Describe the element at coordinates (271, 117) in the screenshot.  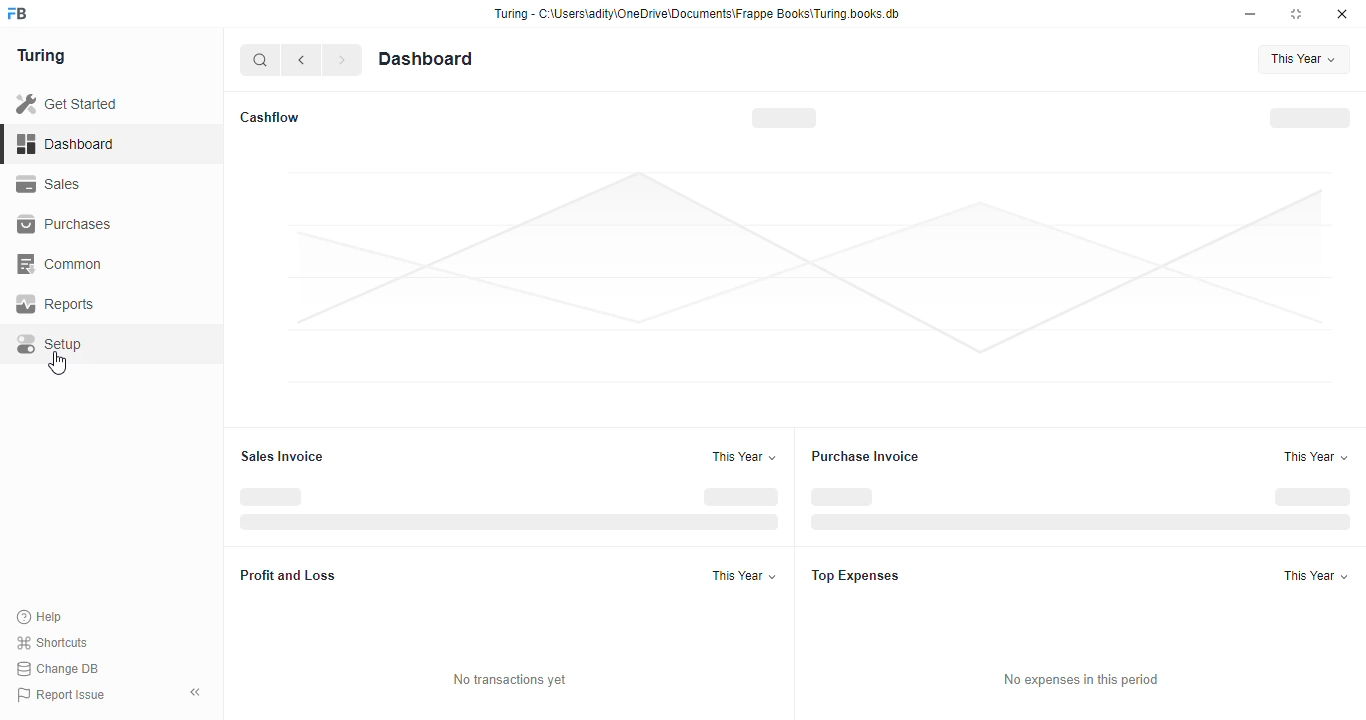
I see `Cashflow` at that location.